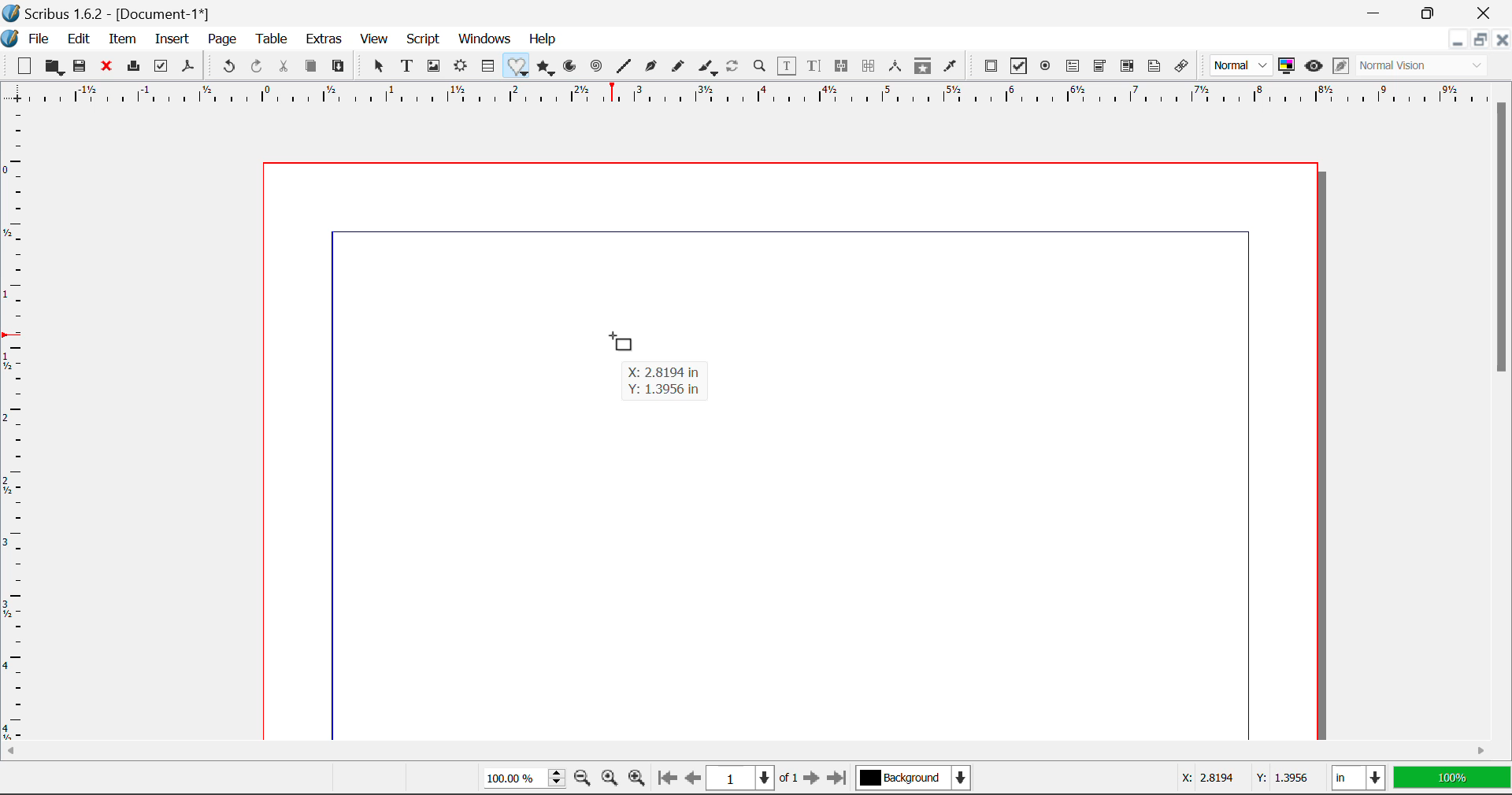 This screenshot has width=1512, height=795. I want to click on Help, so click(543, 39).